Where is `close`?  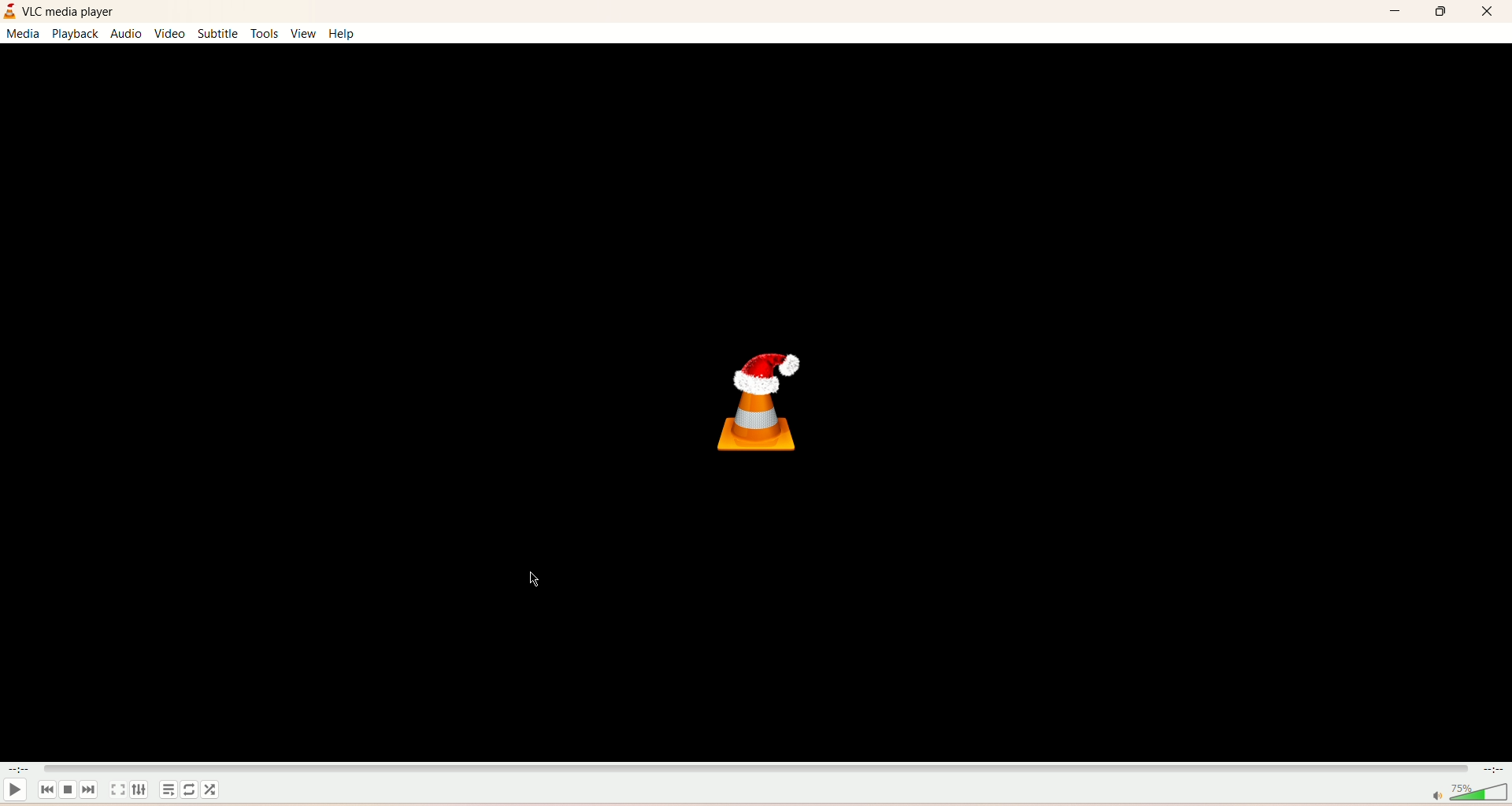
close is located at coordinates (1486, 12).